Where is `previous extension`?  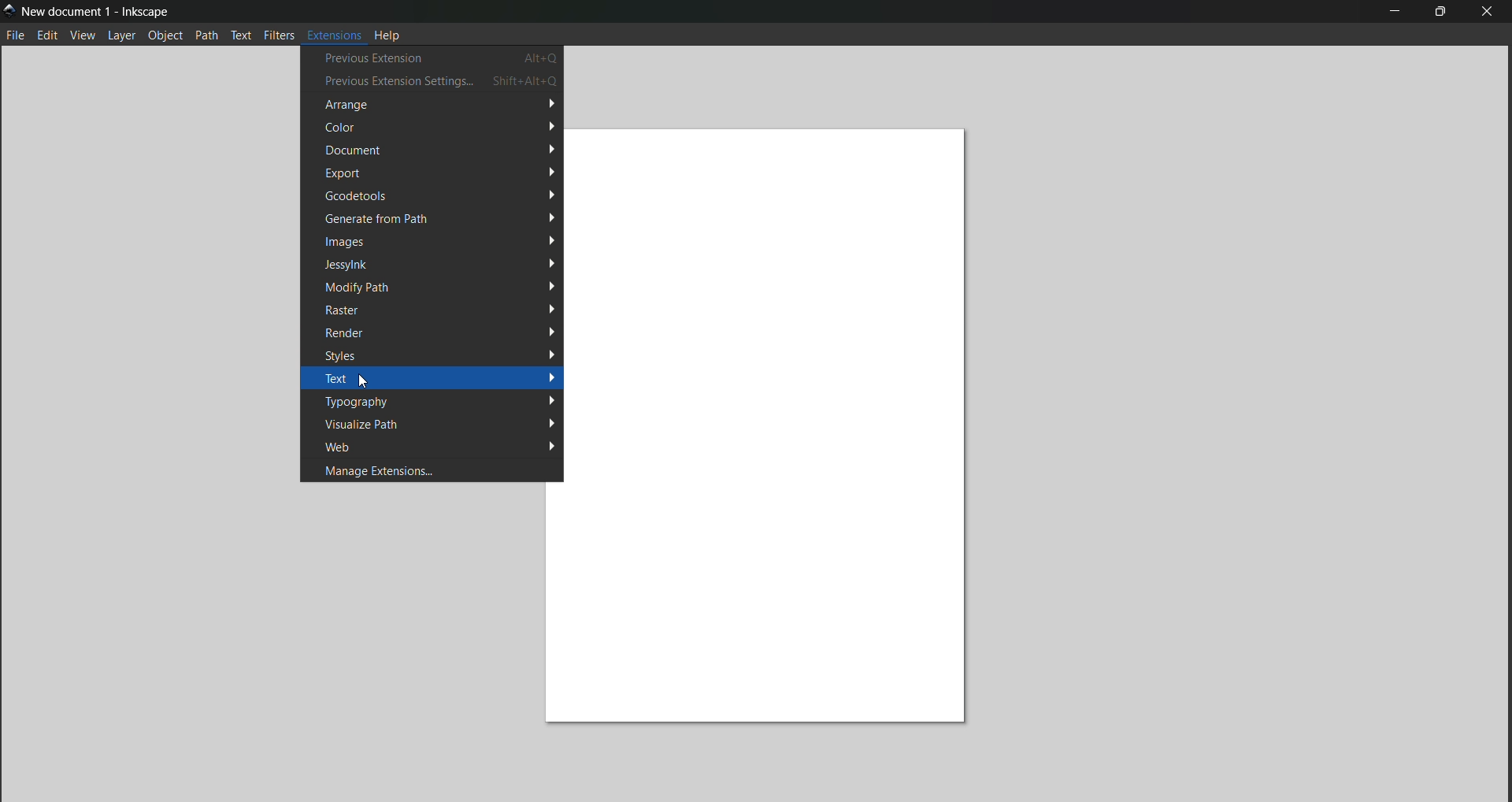
previous extension is located at coordinates (432, 58).